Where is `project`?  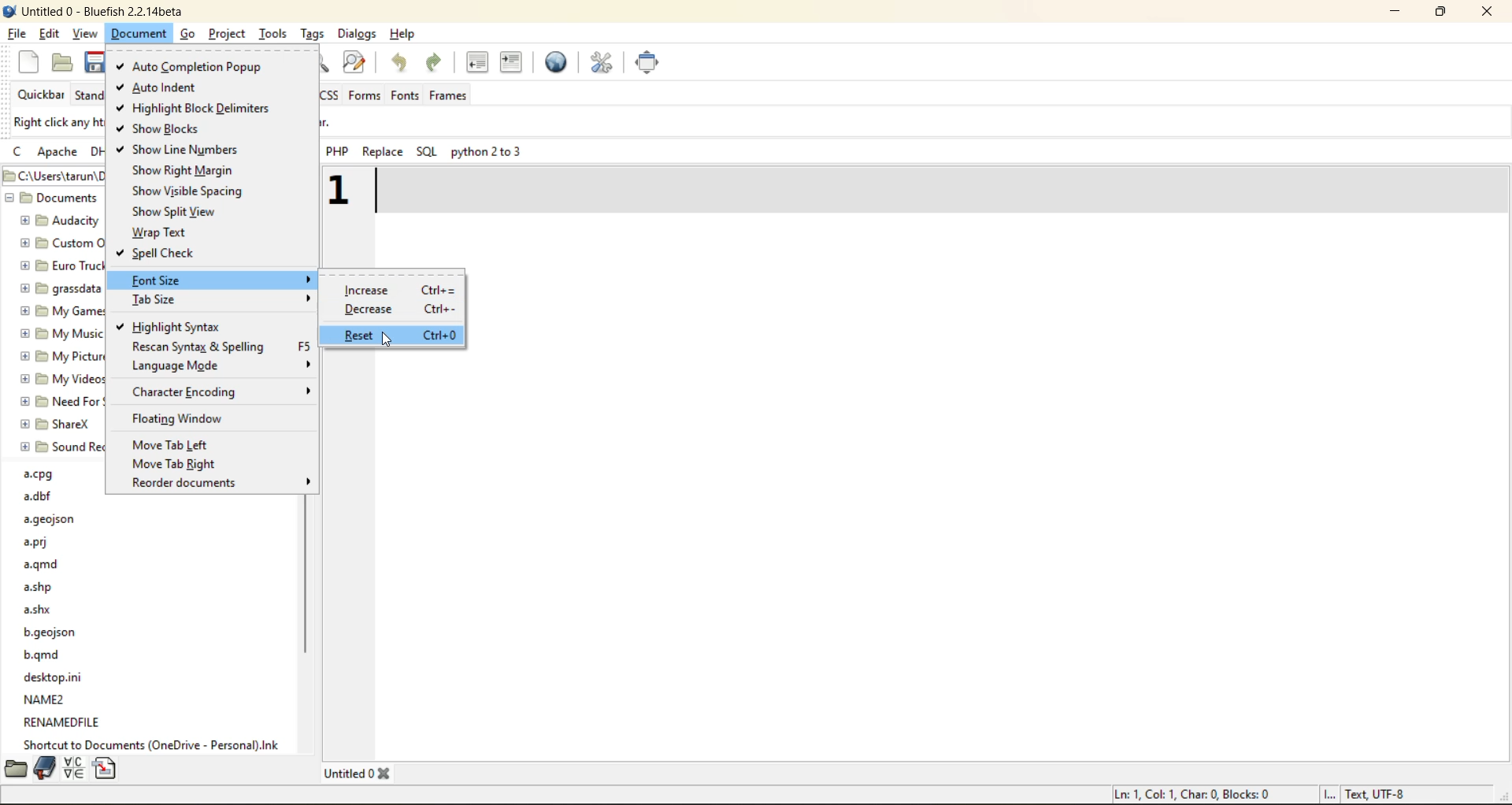
project is located at coordinates (230, 33).